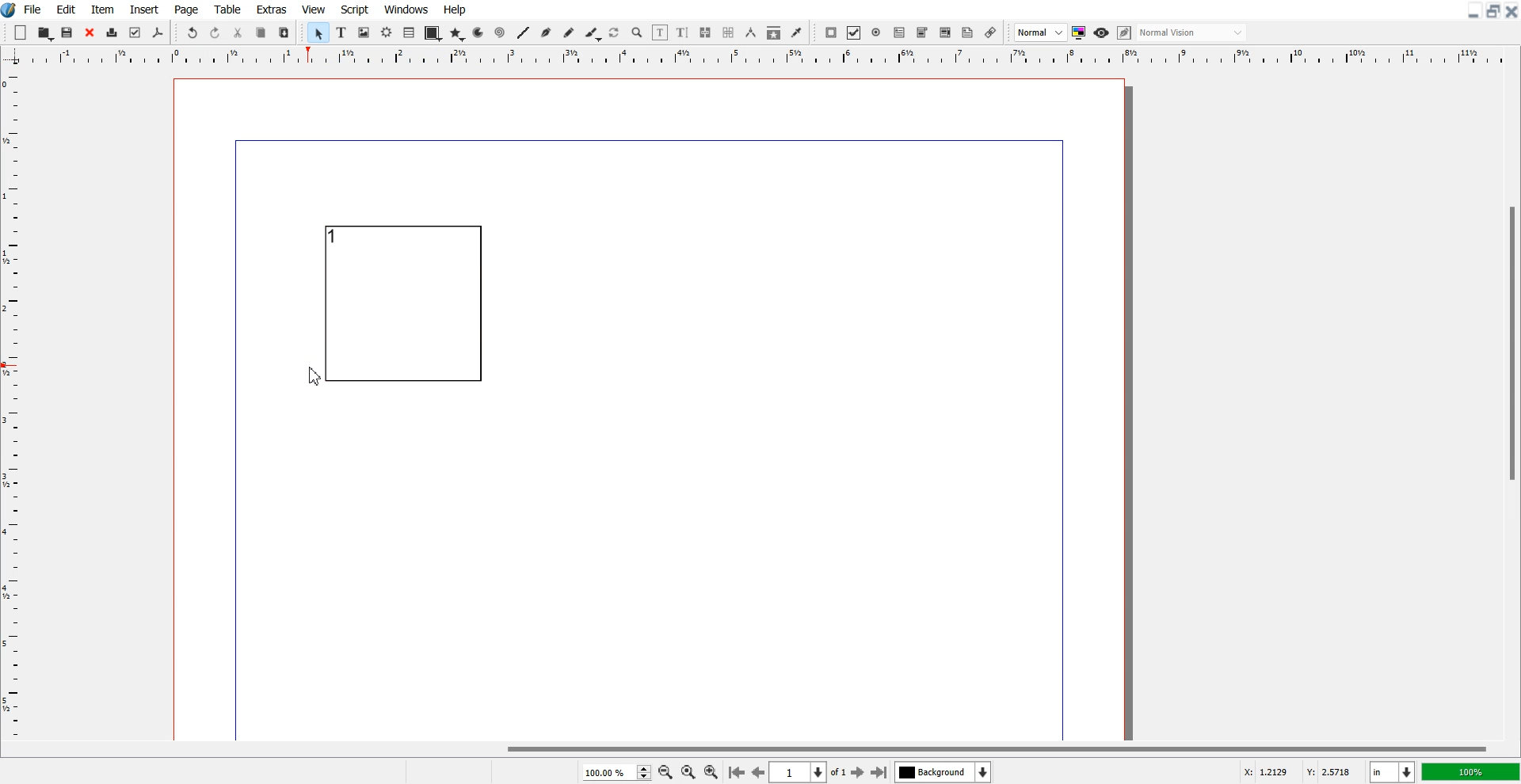  I want to click on Go to First Page, so click(736, 771).